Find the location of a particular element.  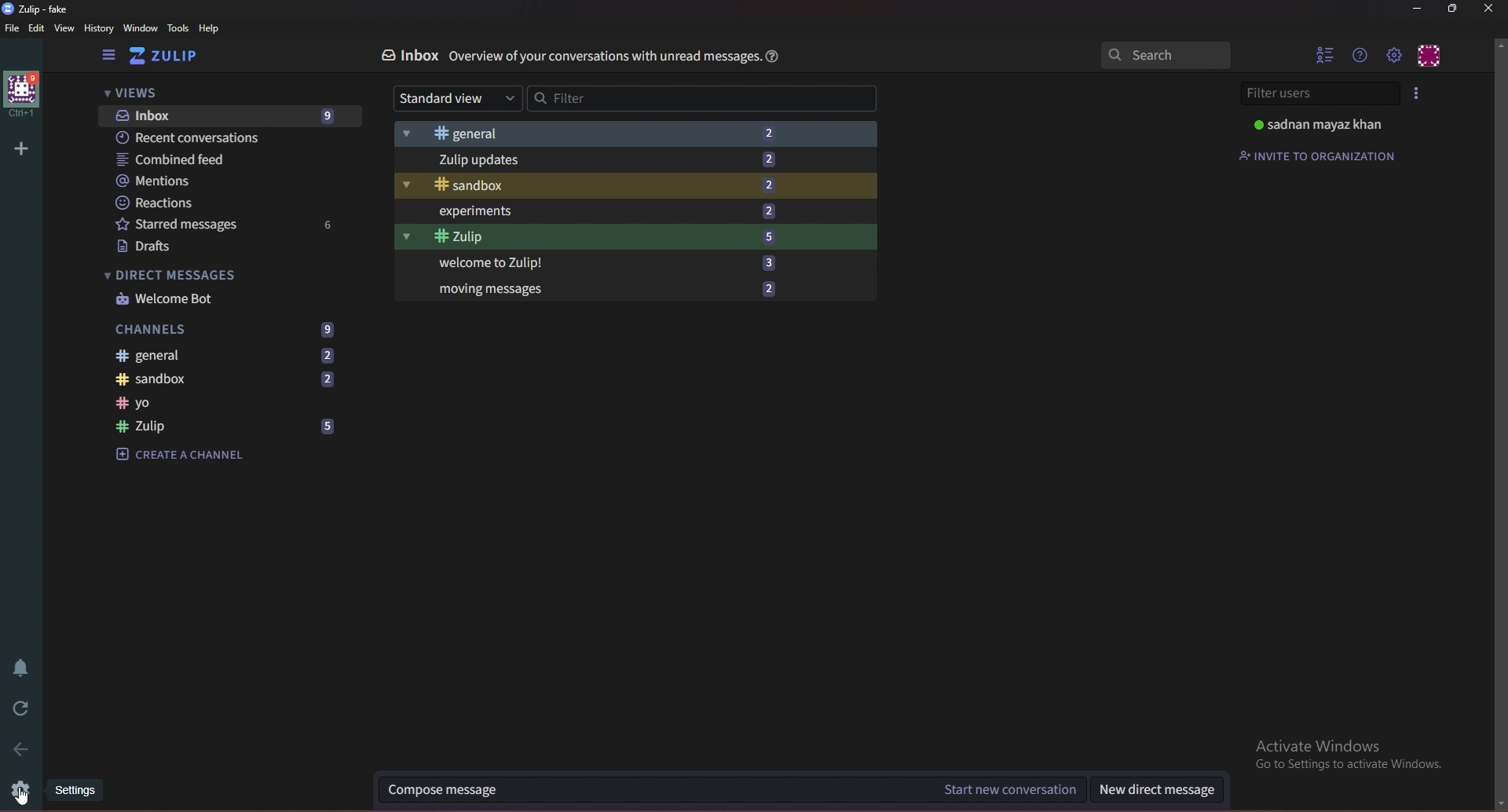

starred messages is located at coordinates (225, 225).